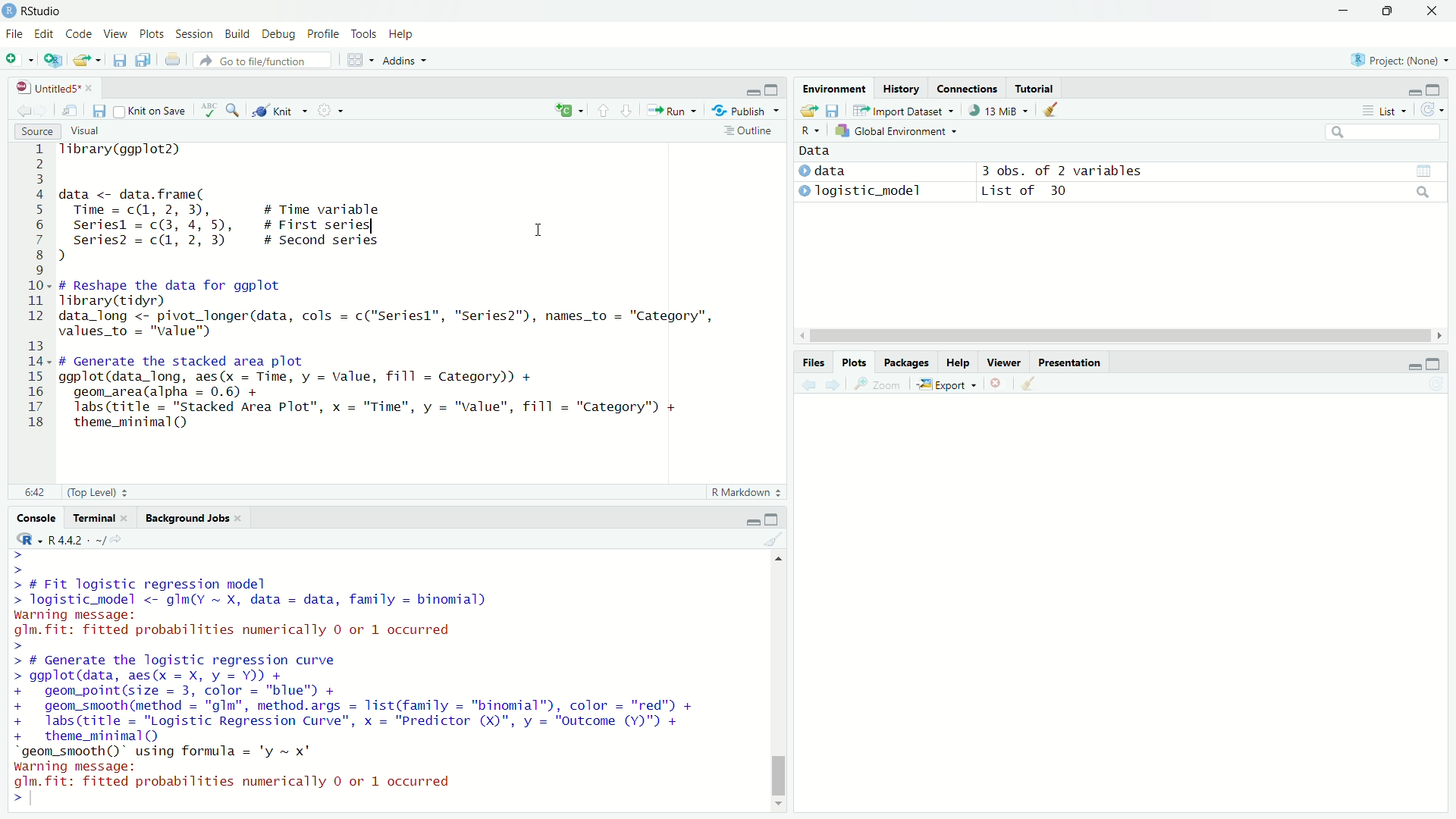 This screenshot has width=1456, height=819. Describe the element at coordinates (1031, 384) in the screenshot. I see `clear` at that location.